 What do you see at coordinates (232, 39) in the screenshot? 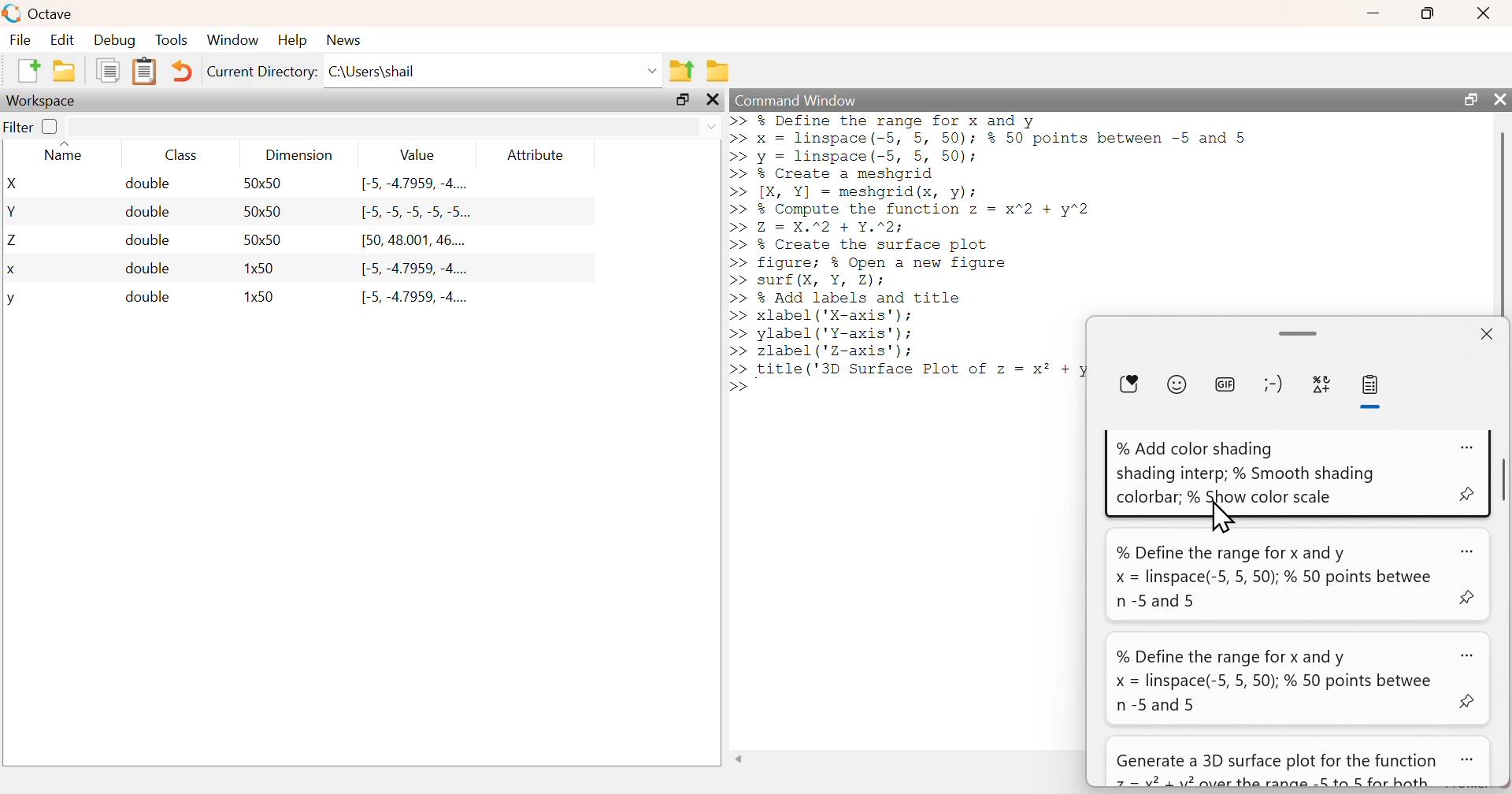
I see `Window` at bounding box center [232, 39].